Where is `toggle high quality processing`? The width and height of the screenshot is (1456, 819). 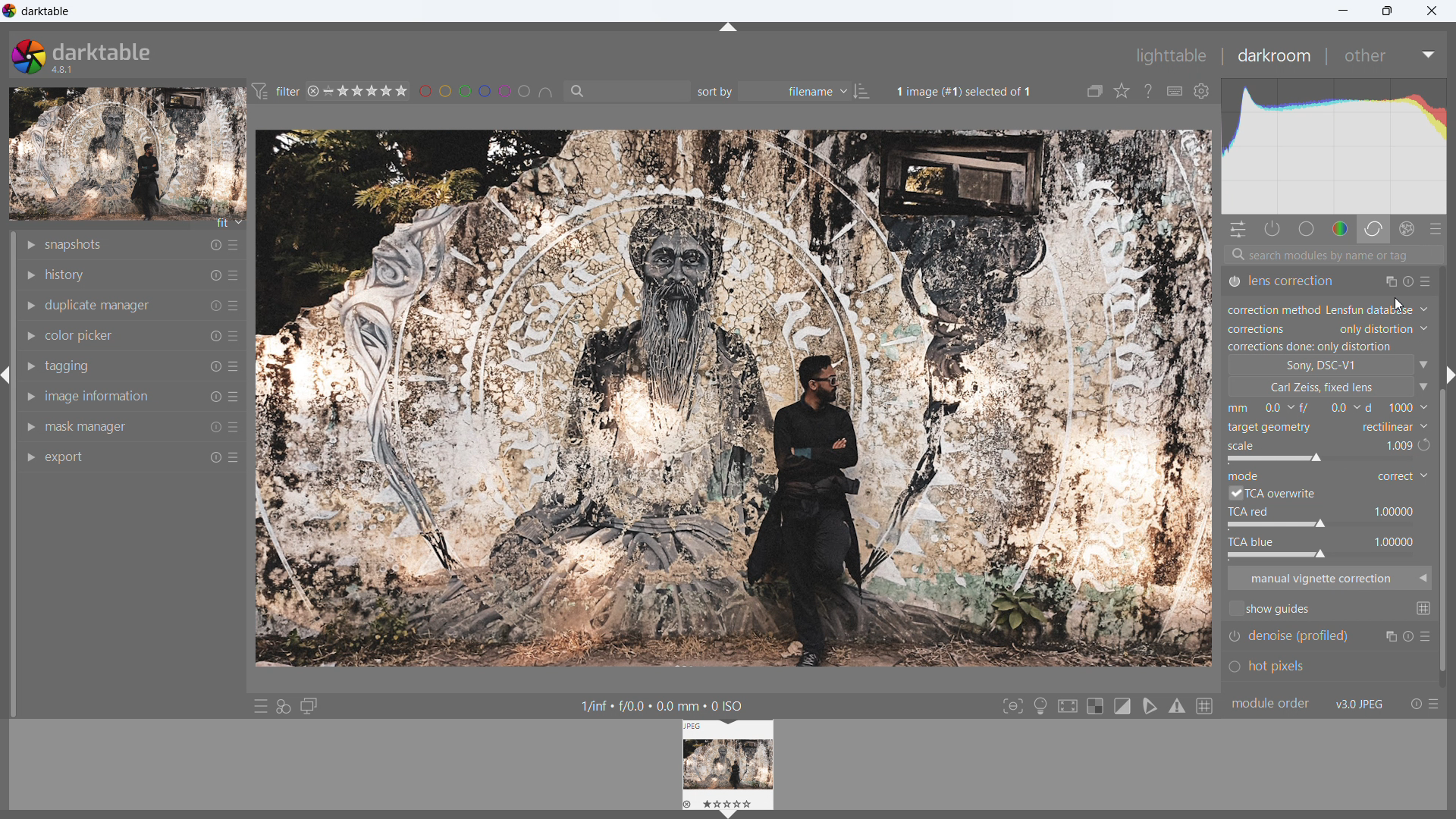 toggle high quality processing is located at coordinates (1068, 706).